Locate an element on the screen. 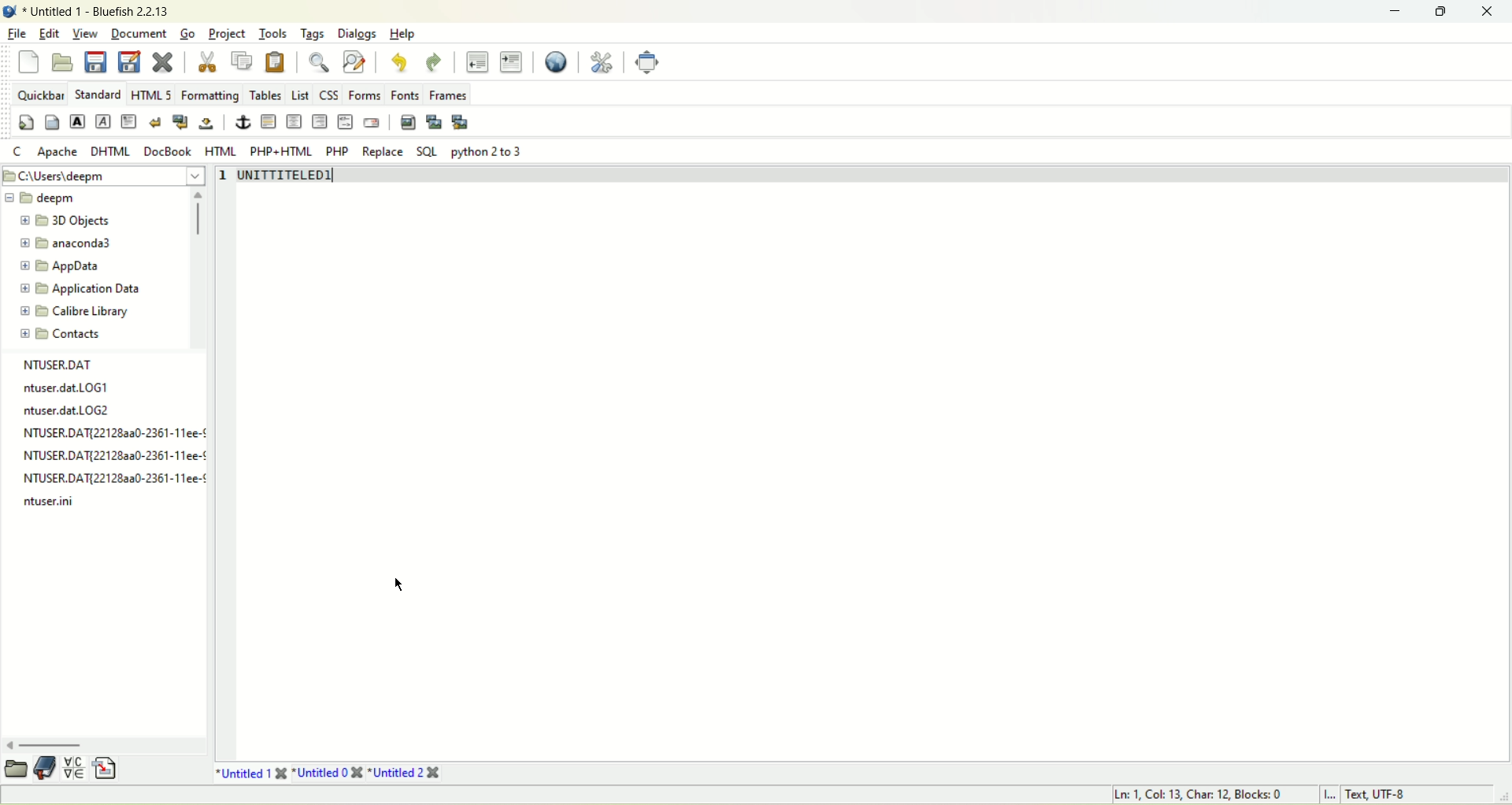 The width and height of the screenshot is (1512, 805). save file as  is located at coordinates (128, 63).